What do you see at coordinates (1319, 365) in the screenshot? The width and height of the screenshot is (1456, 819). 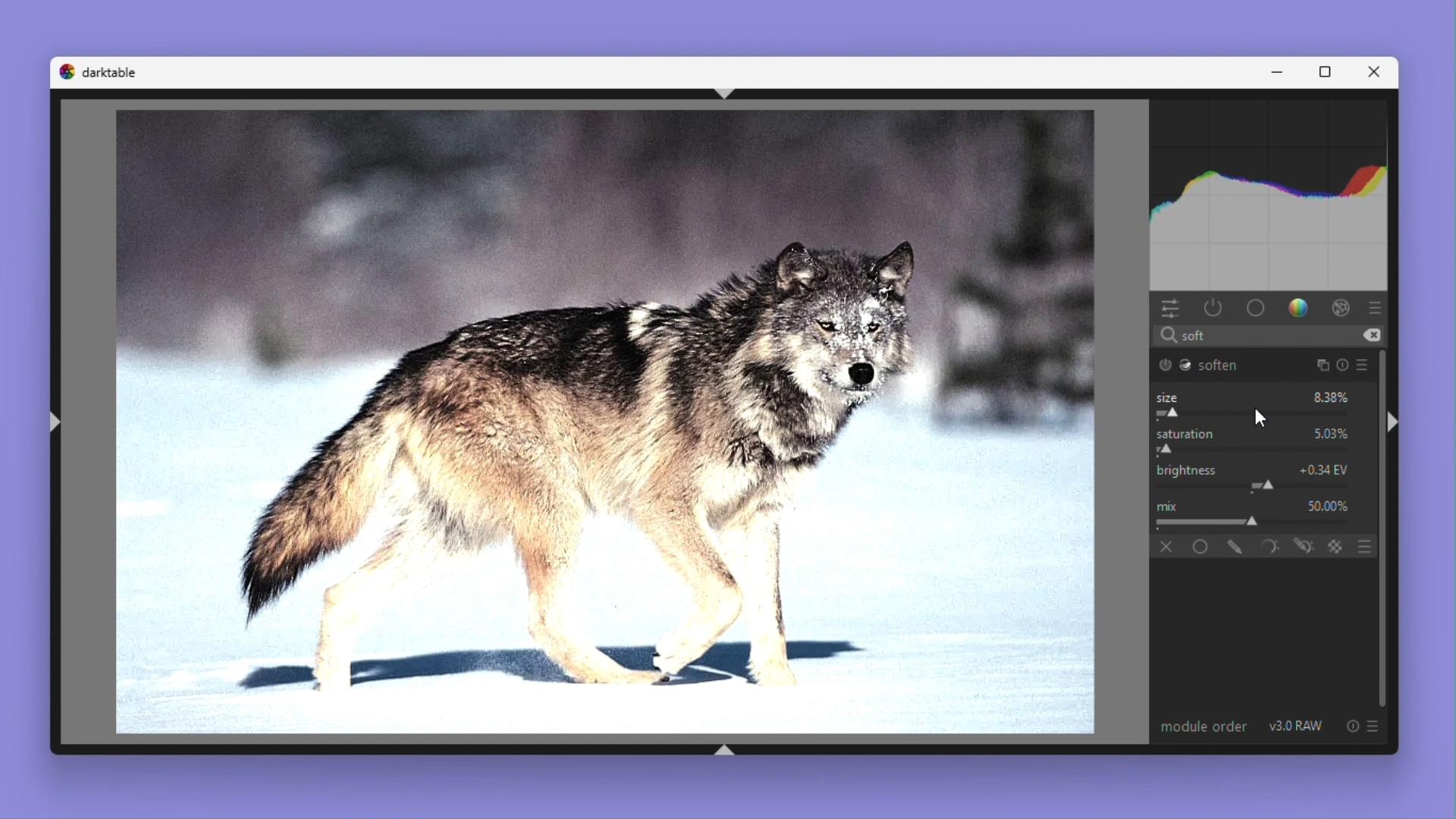 I see `Multiple instance` at bounding box center [1319, 365].